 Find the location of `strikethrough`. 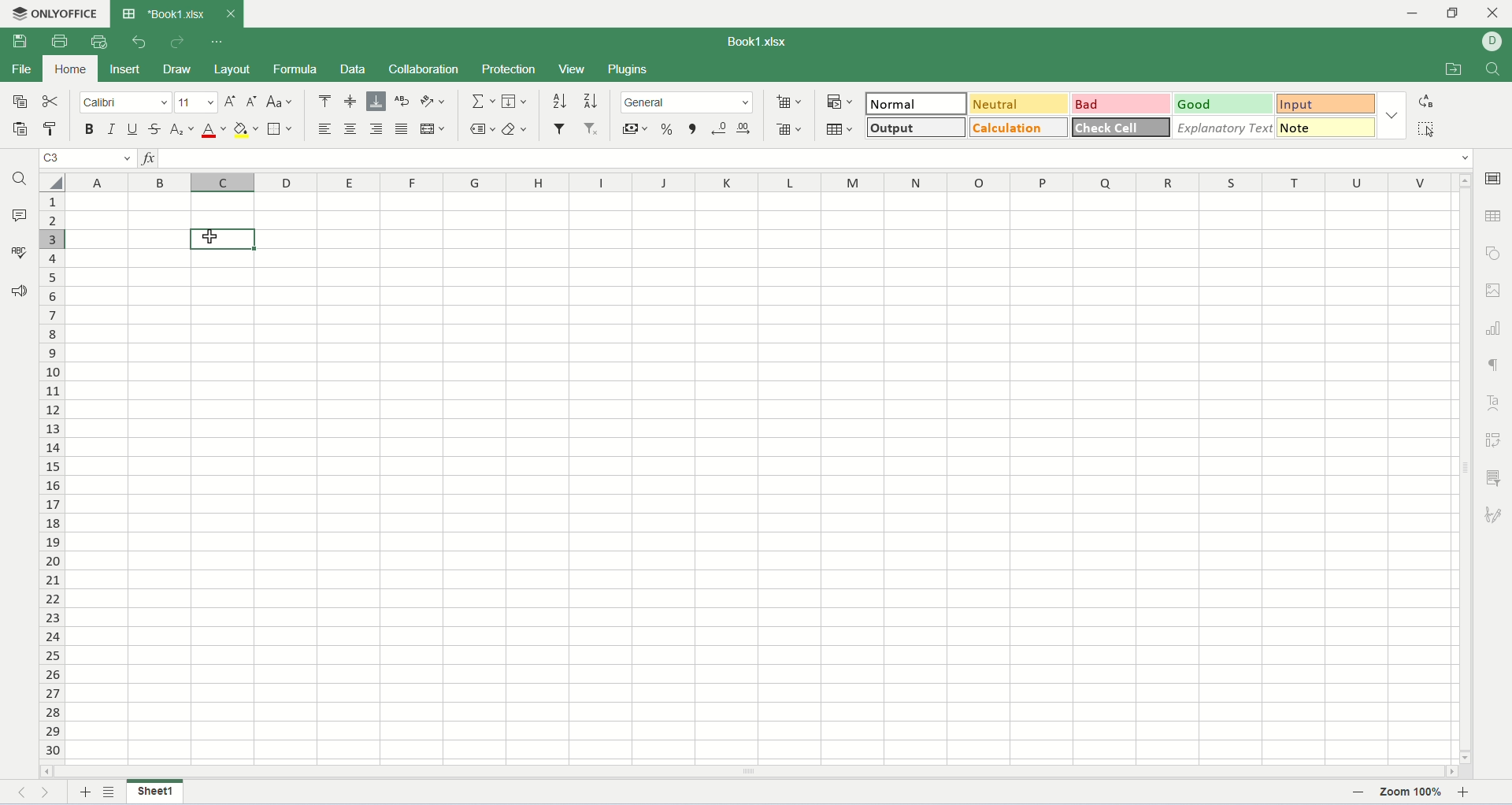

strikethrough is located at coordinates (154, 128).